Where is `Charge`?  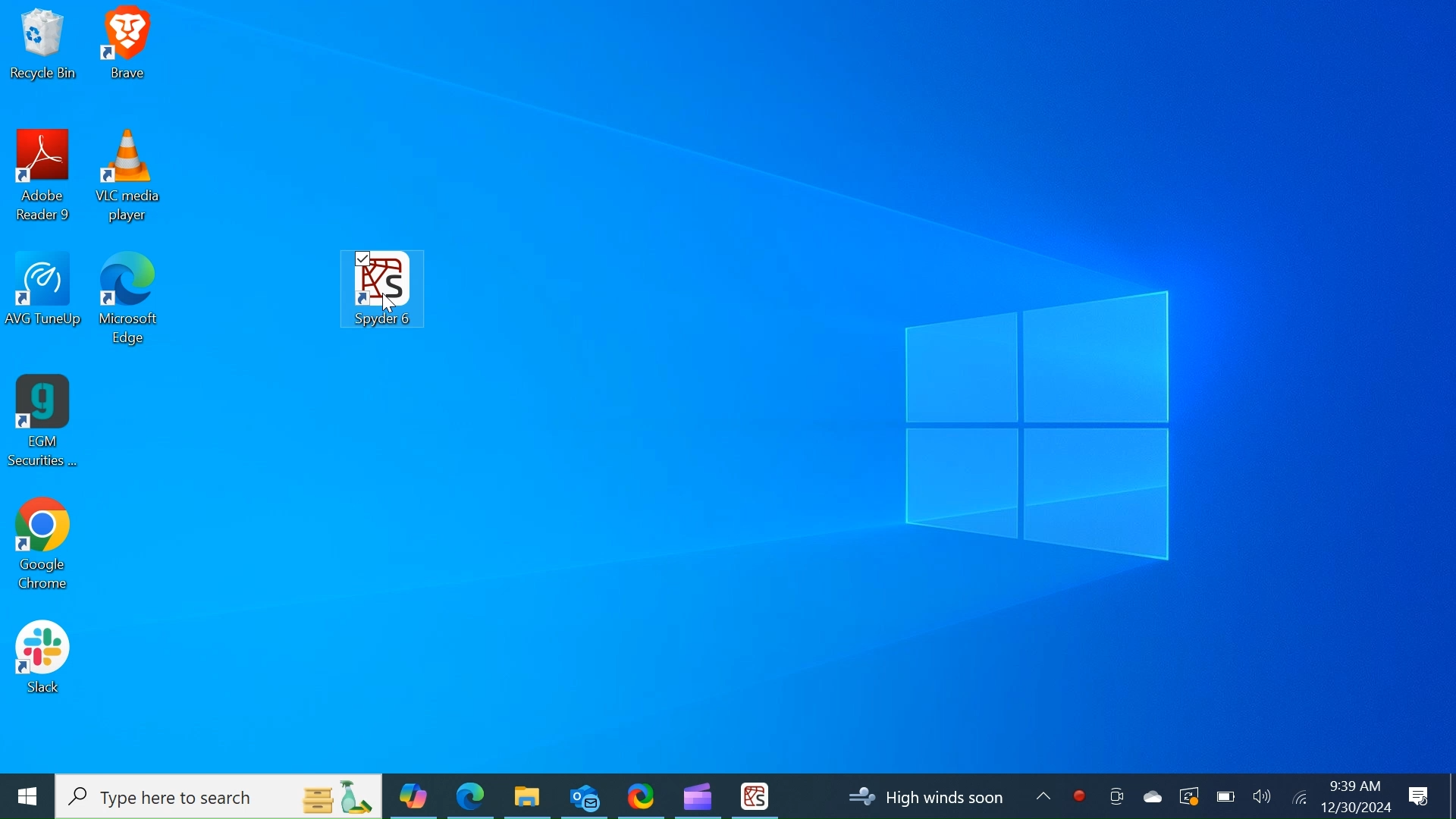 Charge is located at coordinates (1225, 796).